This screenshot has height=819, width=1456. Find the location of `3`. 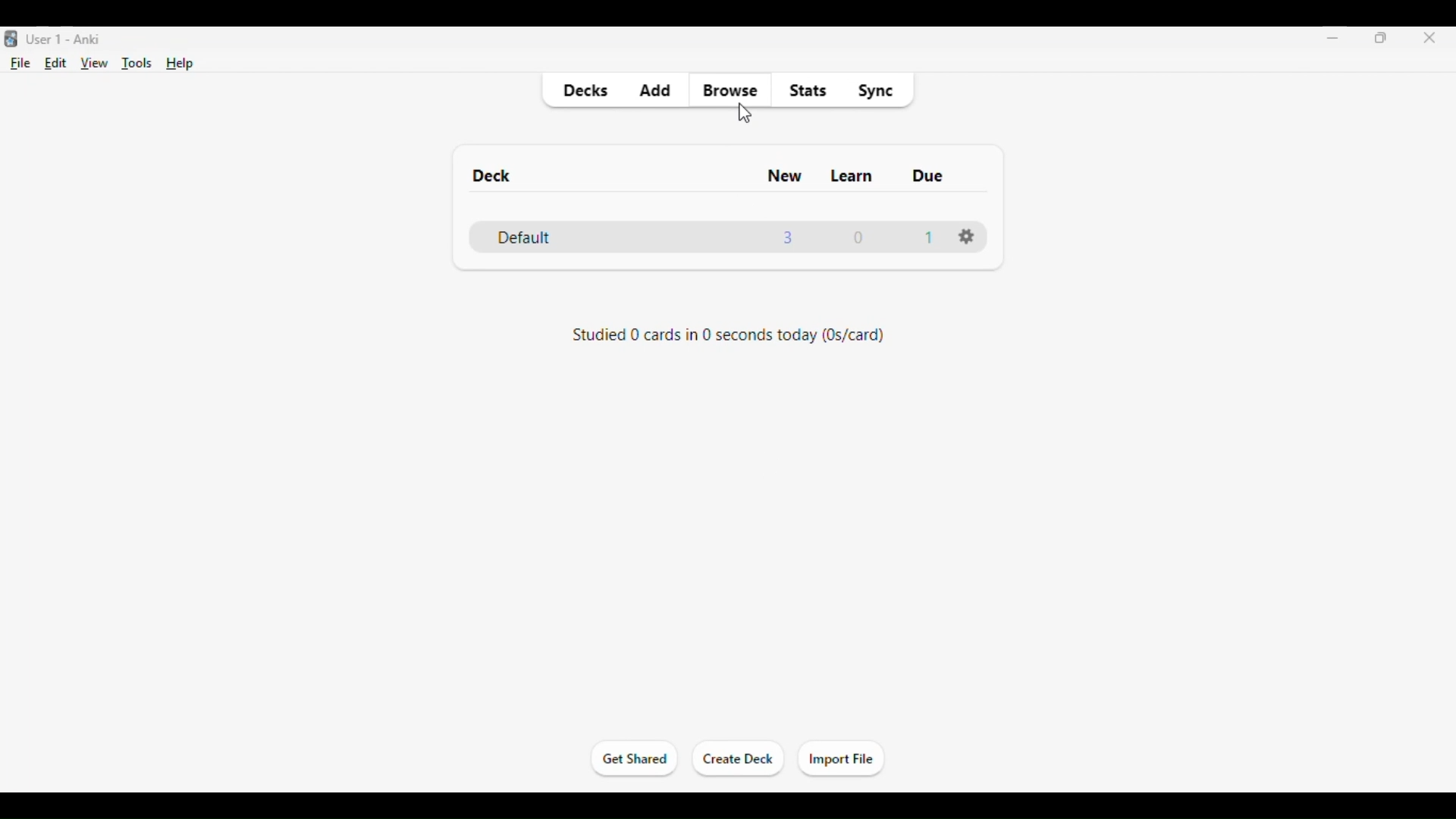

3 is located at coordinates (787, 237).